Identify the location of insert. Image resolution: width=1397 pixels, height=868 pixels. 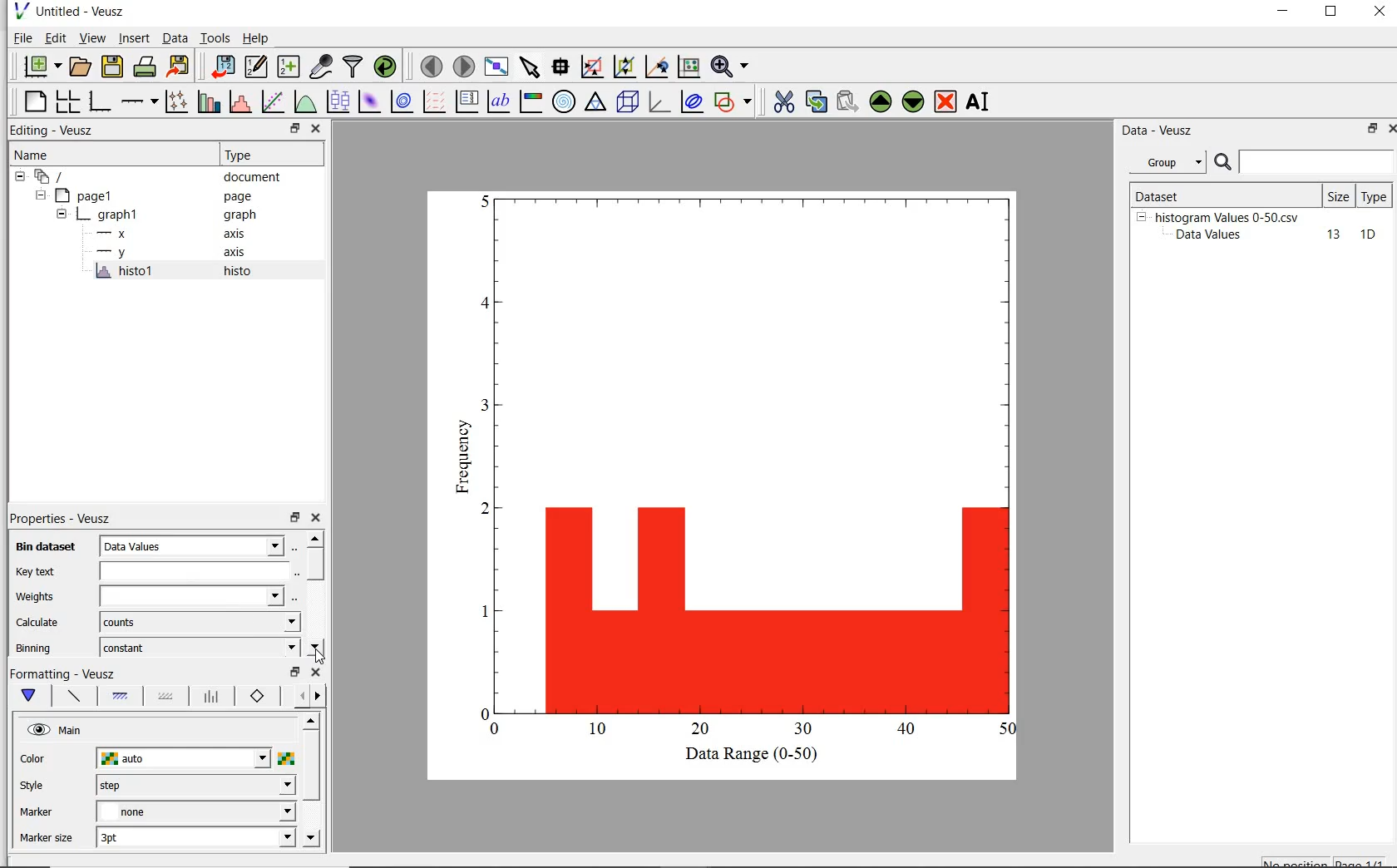
(134, 38).